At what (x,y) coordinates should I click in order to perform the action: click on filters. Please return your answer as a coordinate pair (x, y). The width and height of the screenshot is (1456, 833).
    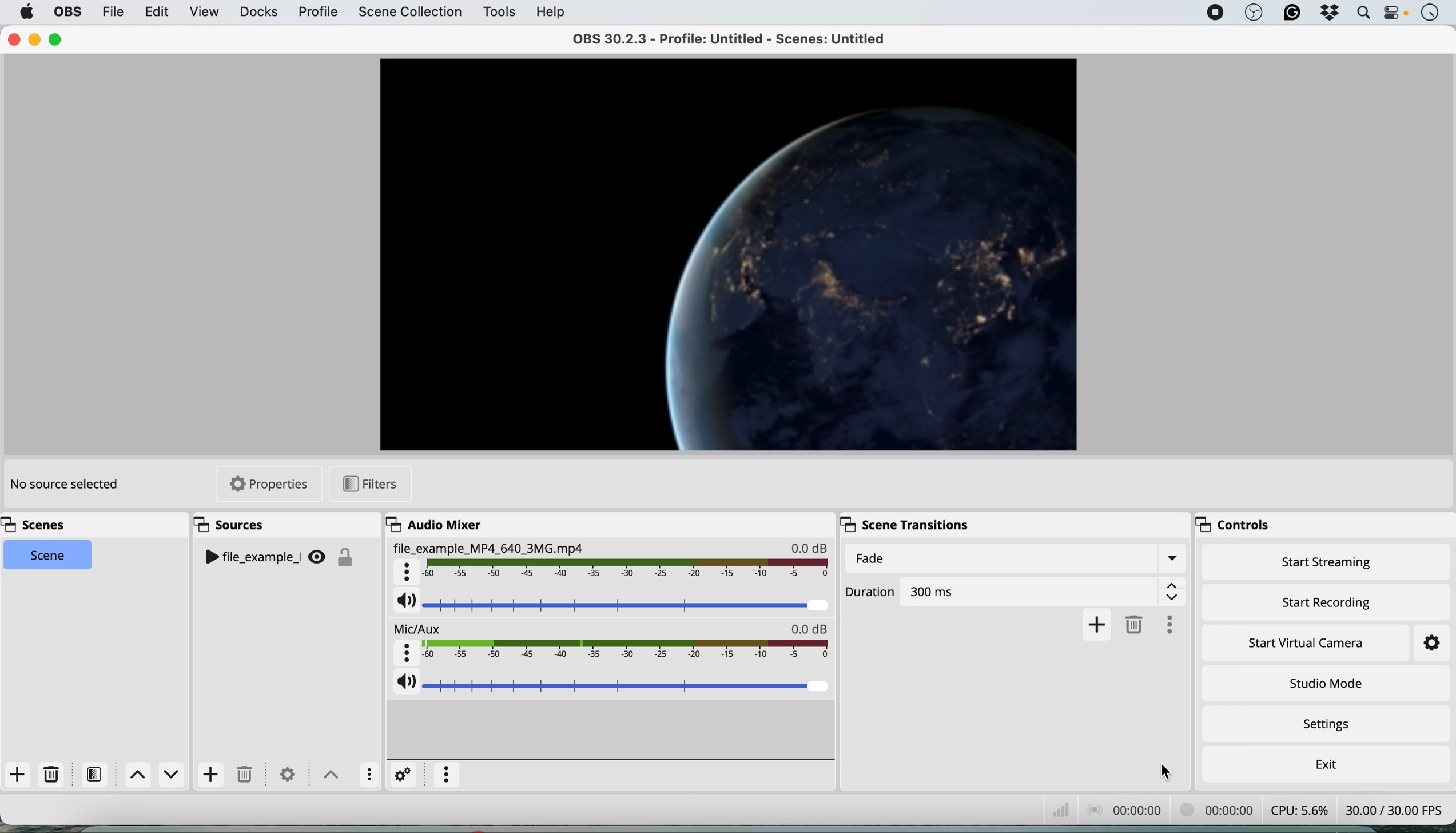
    Looking at the image, I should click on (372, 484).